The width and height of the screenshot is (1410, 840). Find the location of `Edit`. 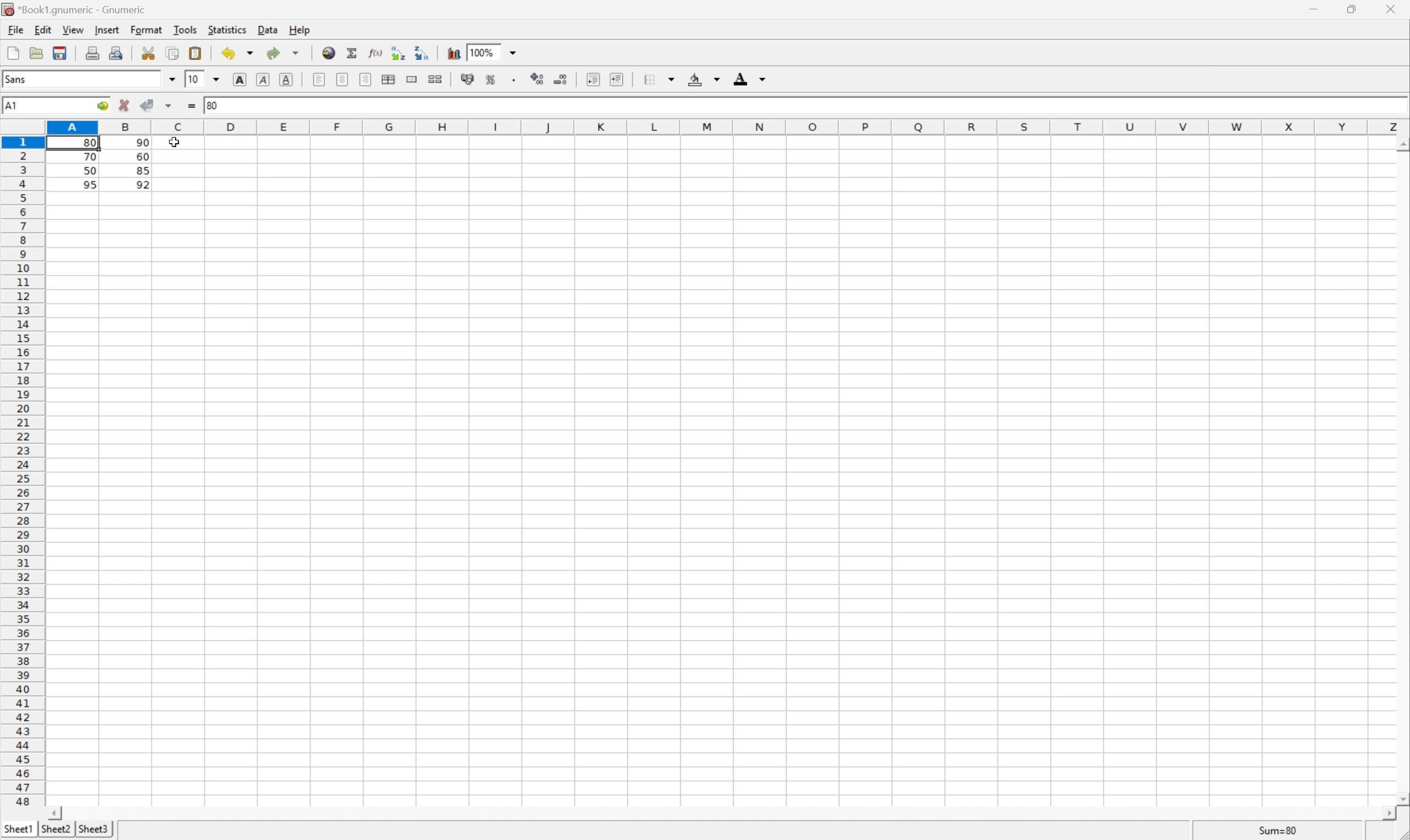

Edit is located at coordinates (42, 31).